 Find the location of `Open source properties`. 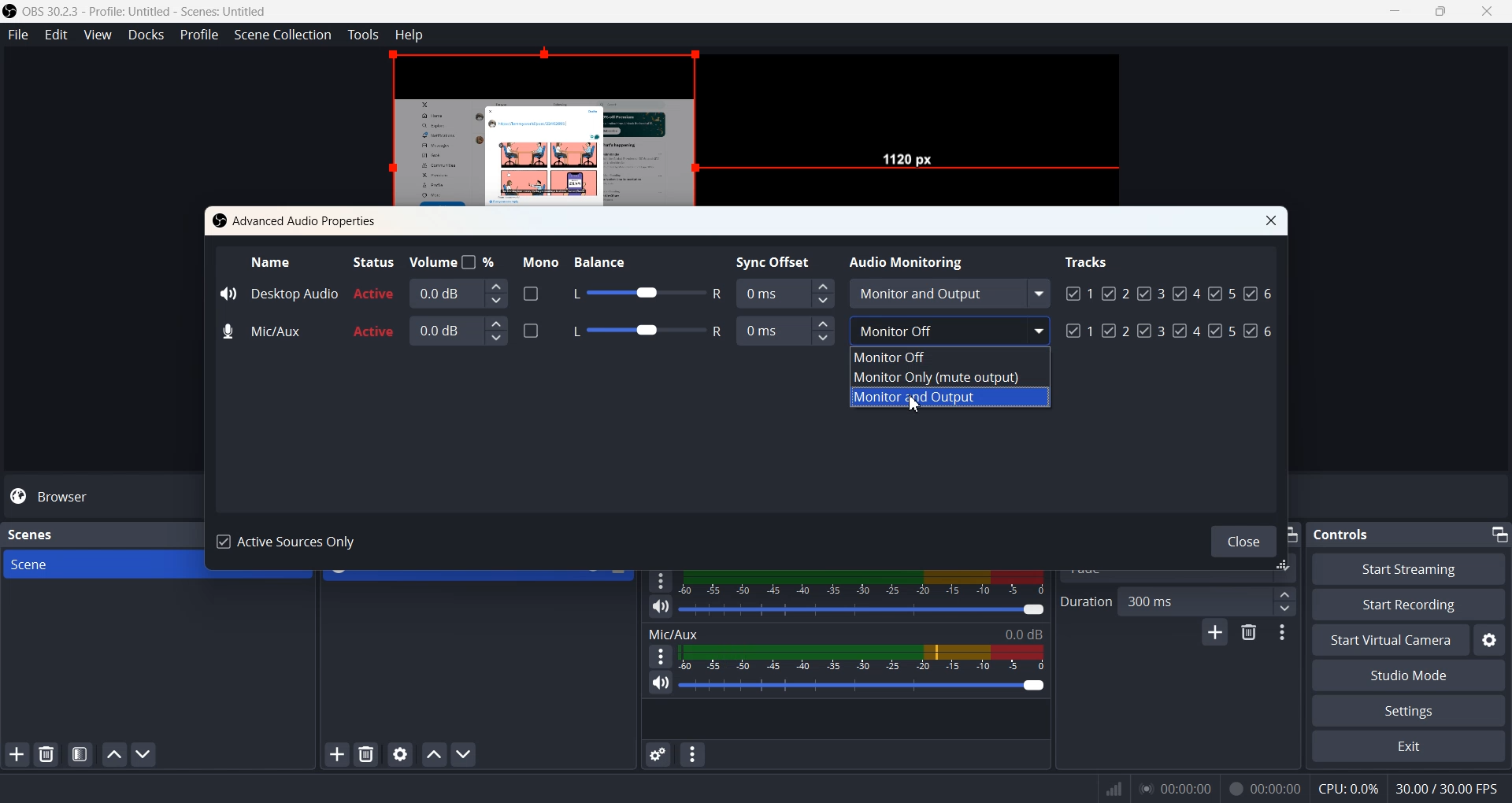

Open source properties is located at coordinates (402, 753).